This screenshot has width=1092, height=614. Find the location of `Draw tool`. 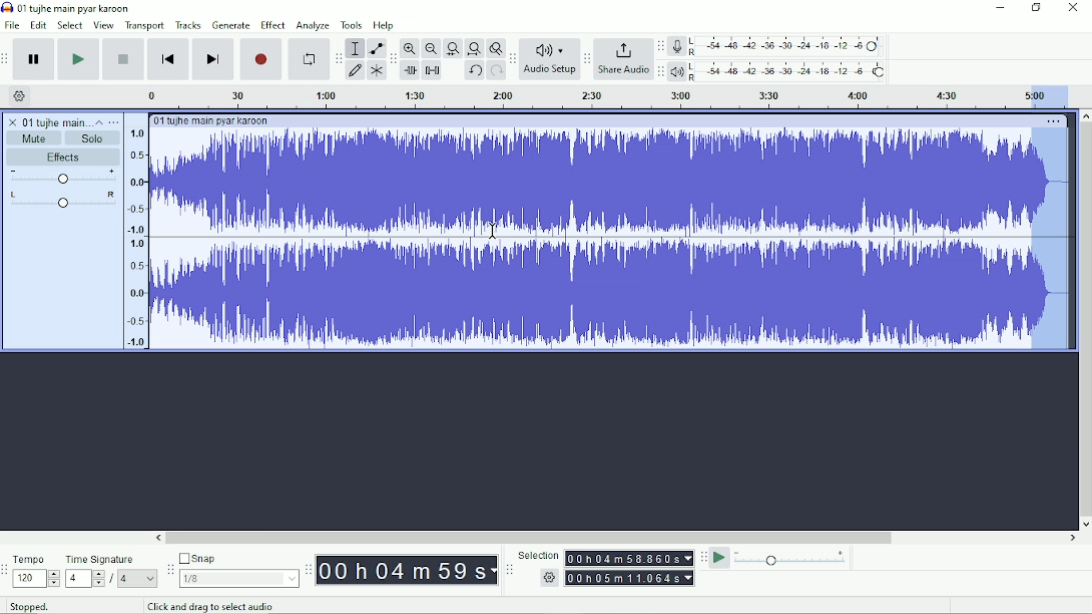

Draw tool is located at coordinates (354, 70).